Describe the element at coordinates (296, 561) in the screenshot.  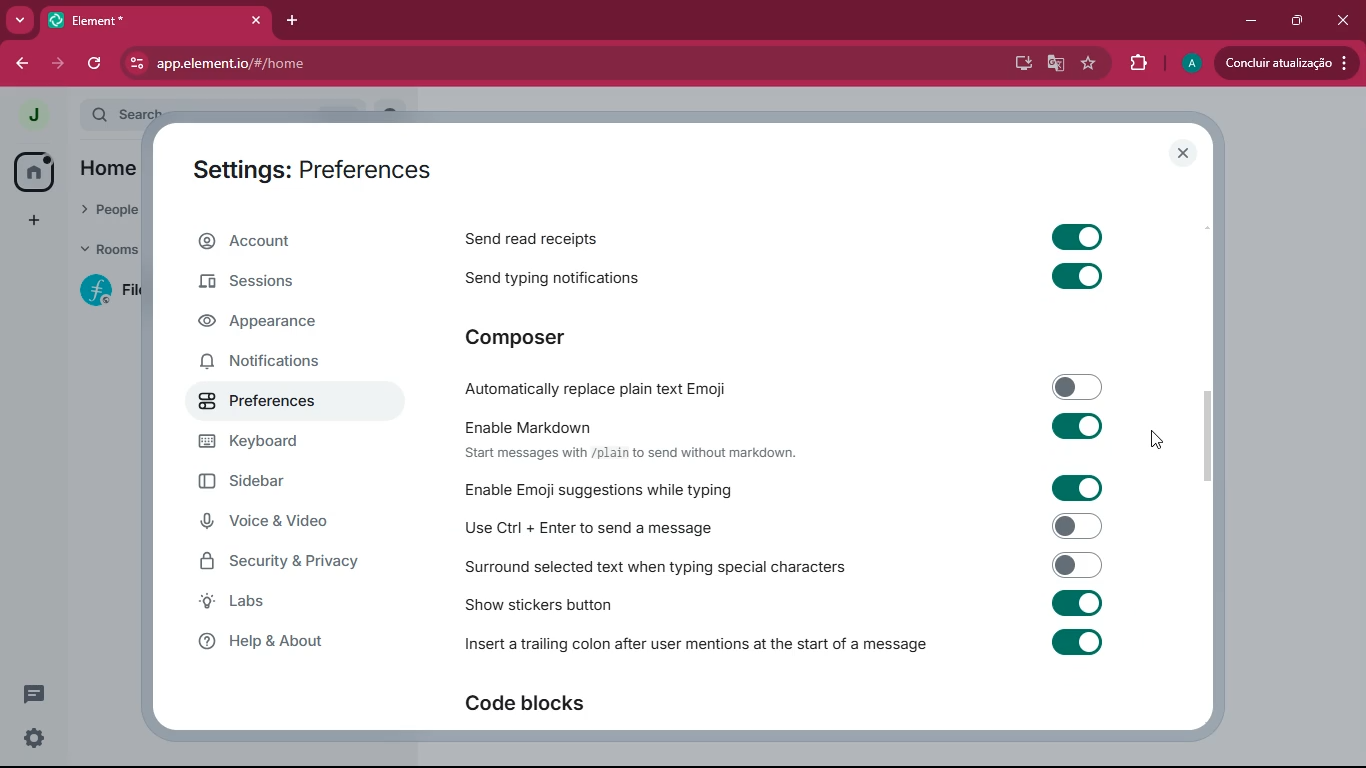
I see `security` at that location.